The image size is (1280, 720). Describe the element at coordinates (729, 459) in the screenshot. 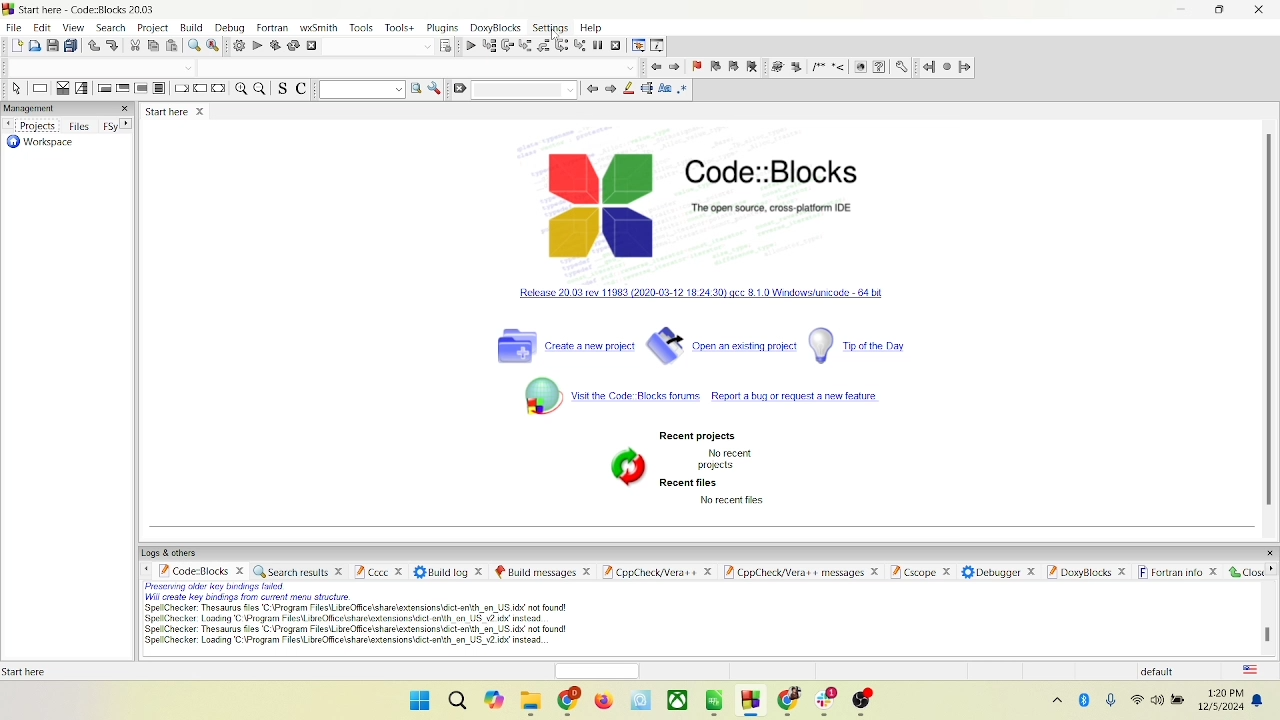

I see `text` at that location.